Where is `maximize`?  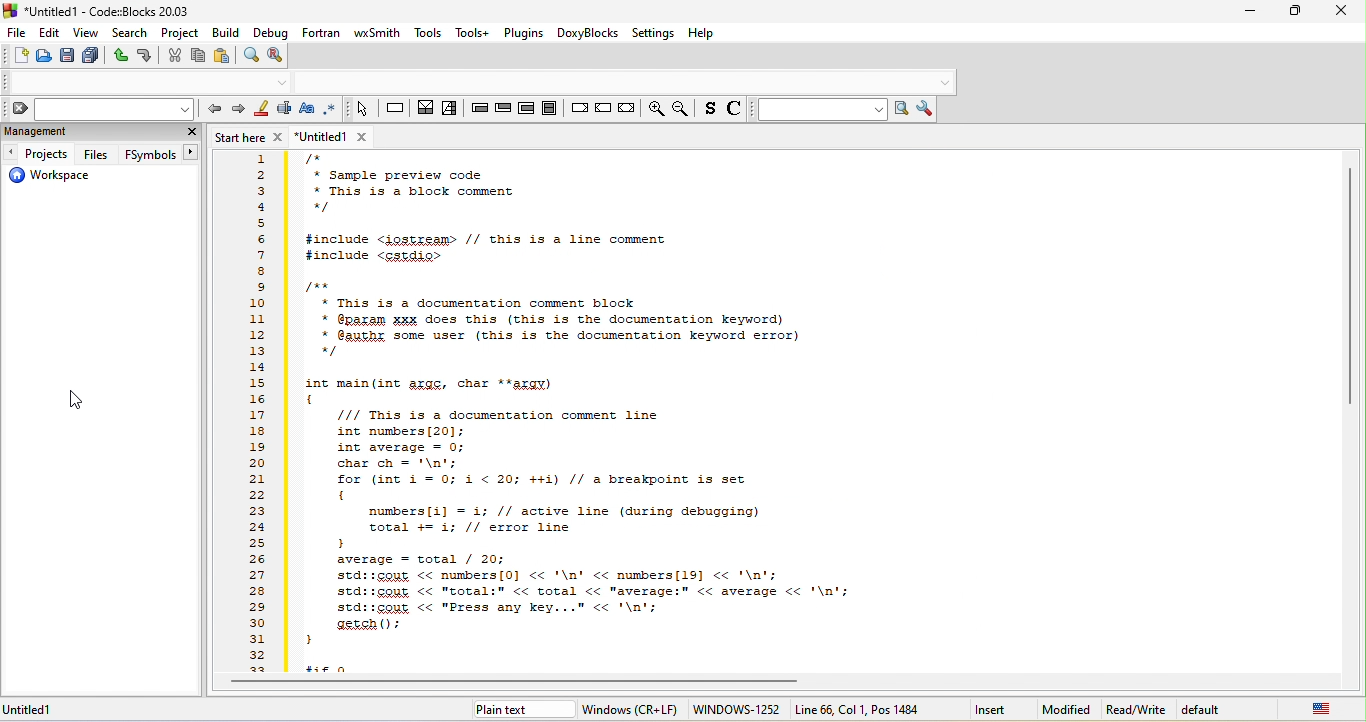 maximize is located at coordinates (1298, 9).